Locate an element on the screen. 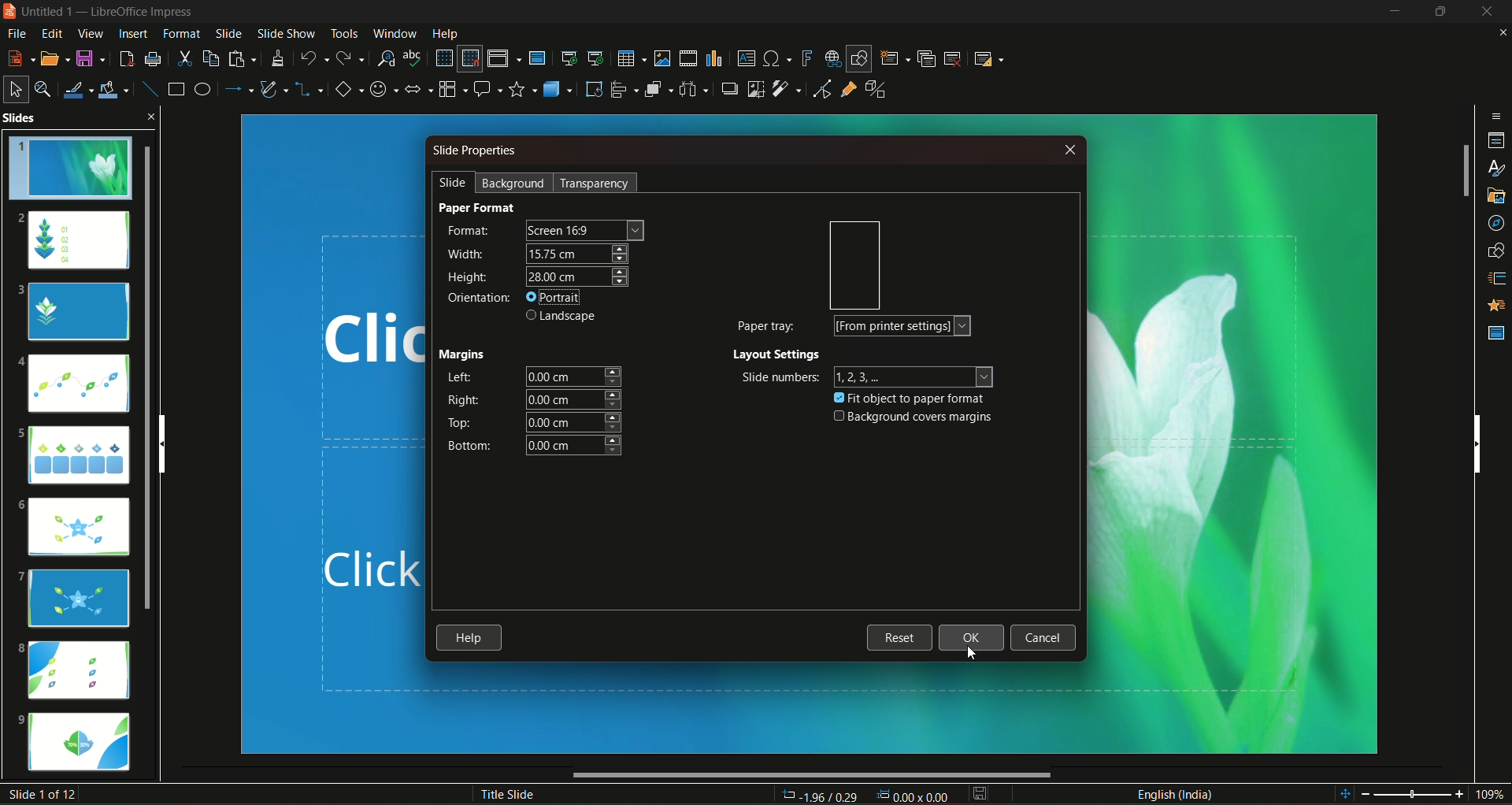 Image resolution: width=1512 pixels, height=805 pixels. select atlest 3 objects is located at coordinates (696, 88).